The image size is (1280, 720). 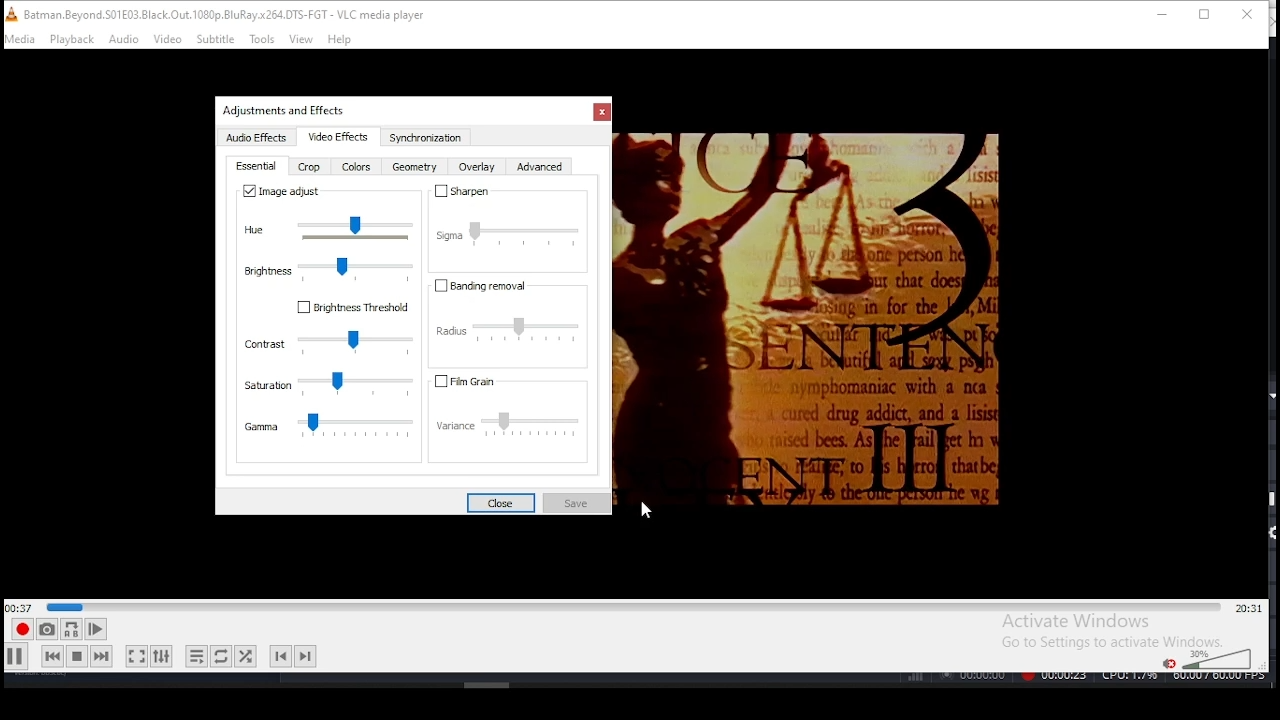 I want to click on random, so click(x=246, y=655).